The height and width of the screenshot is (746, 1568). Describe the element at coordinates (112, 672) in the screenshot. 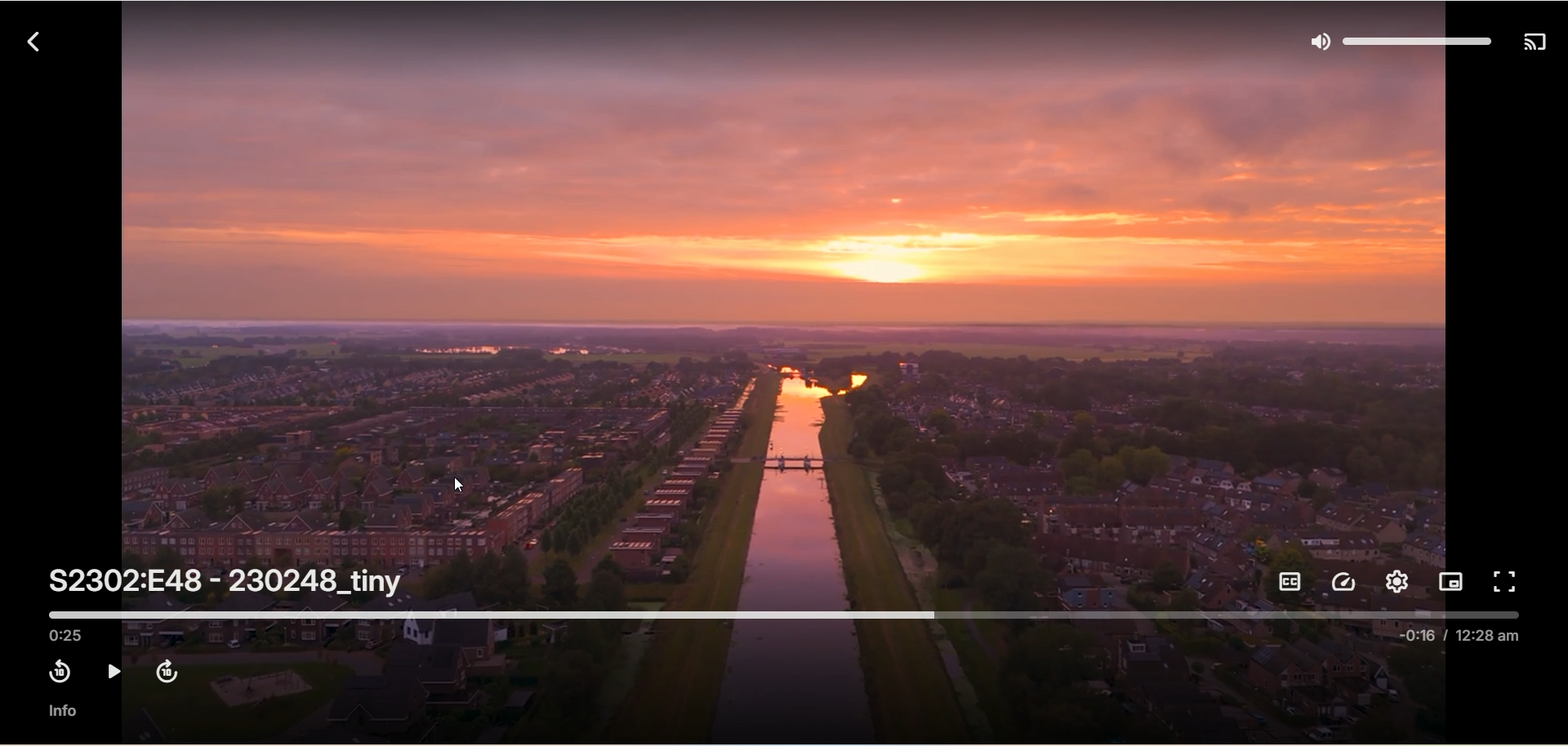

I see `play` at that location.